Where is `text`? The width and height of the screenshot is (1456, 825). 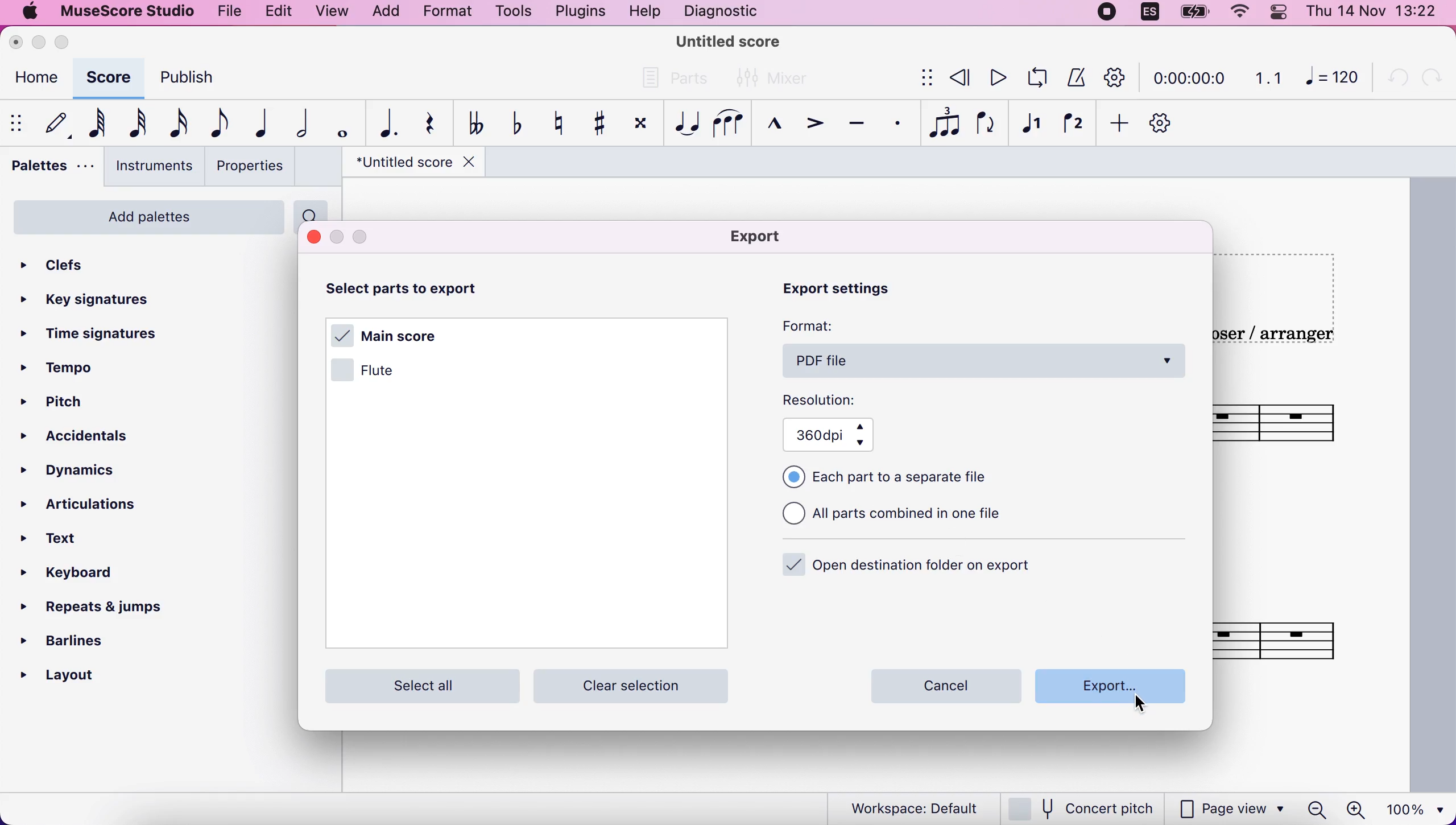
text is located at coordinates (69, 542).